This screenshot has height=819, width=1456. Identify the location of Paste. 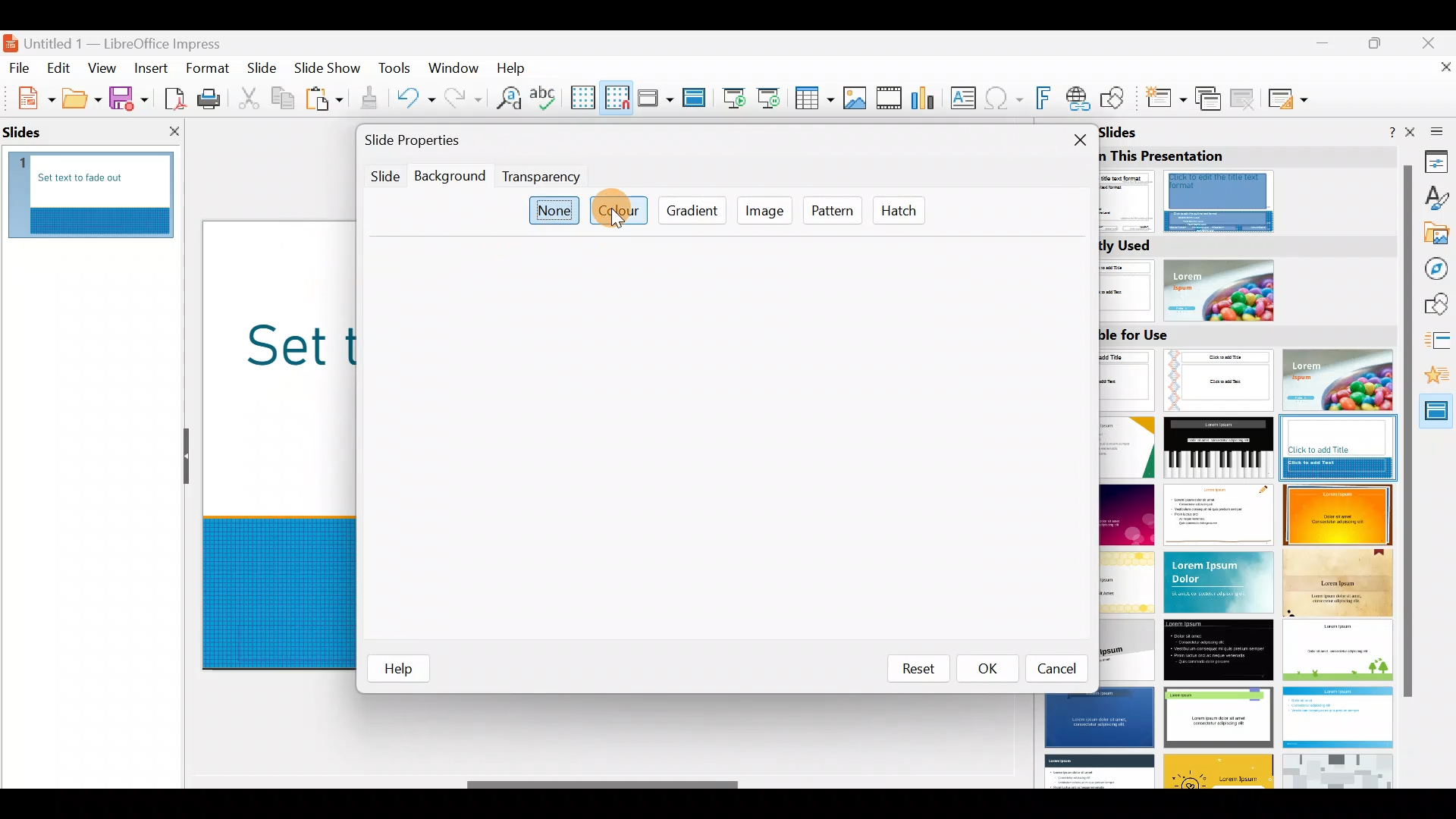
(326, 101).